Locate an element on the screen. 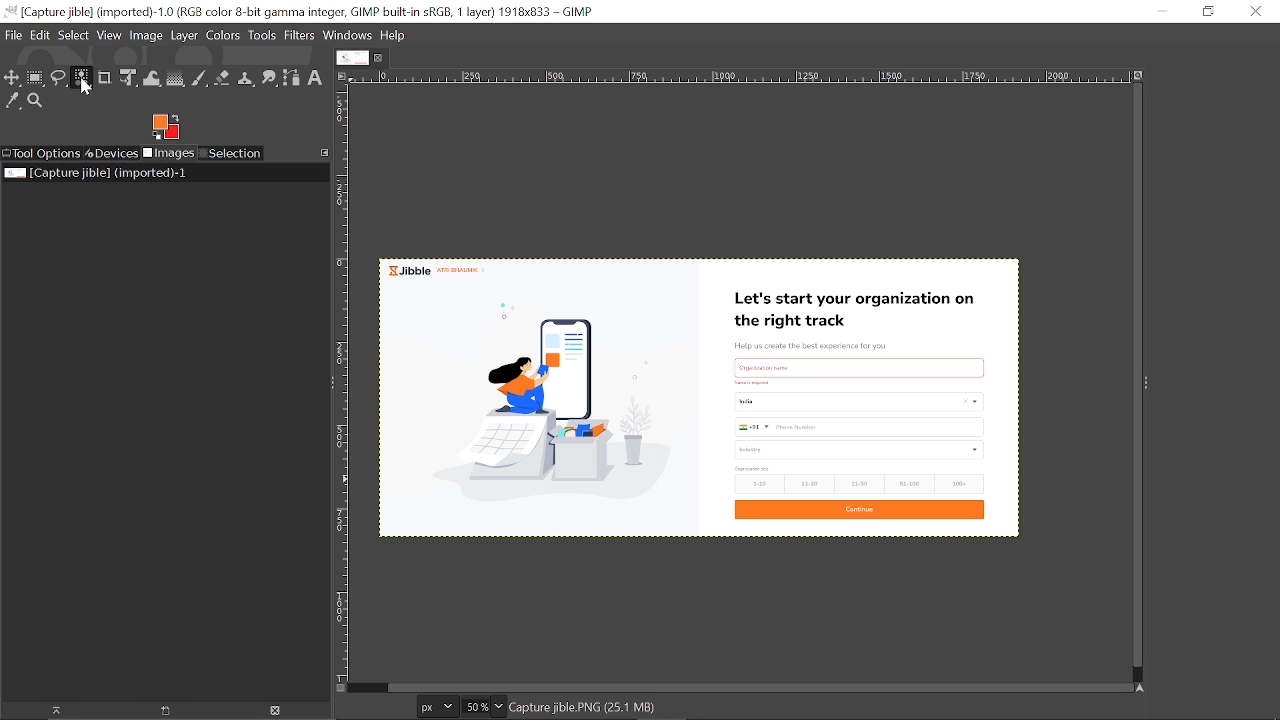  Eraser tool is located at coordinates (222, 78).